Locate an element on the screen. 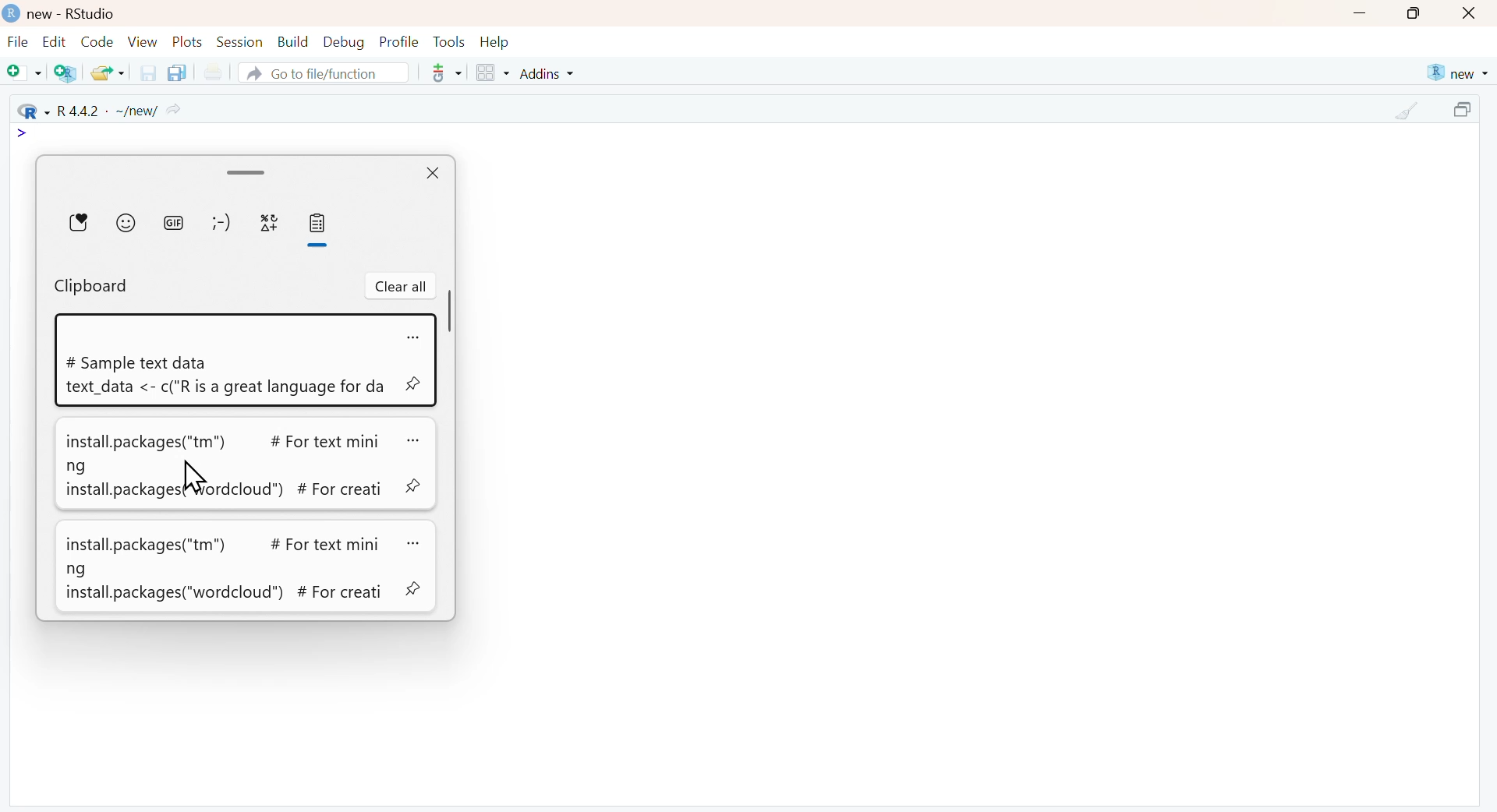  new - RStudio is located at coordinates (75, 14).